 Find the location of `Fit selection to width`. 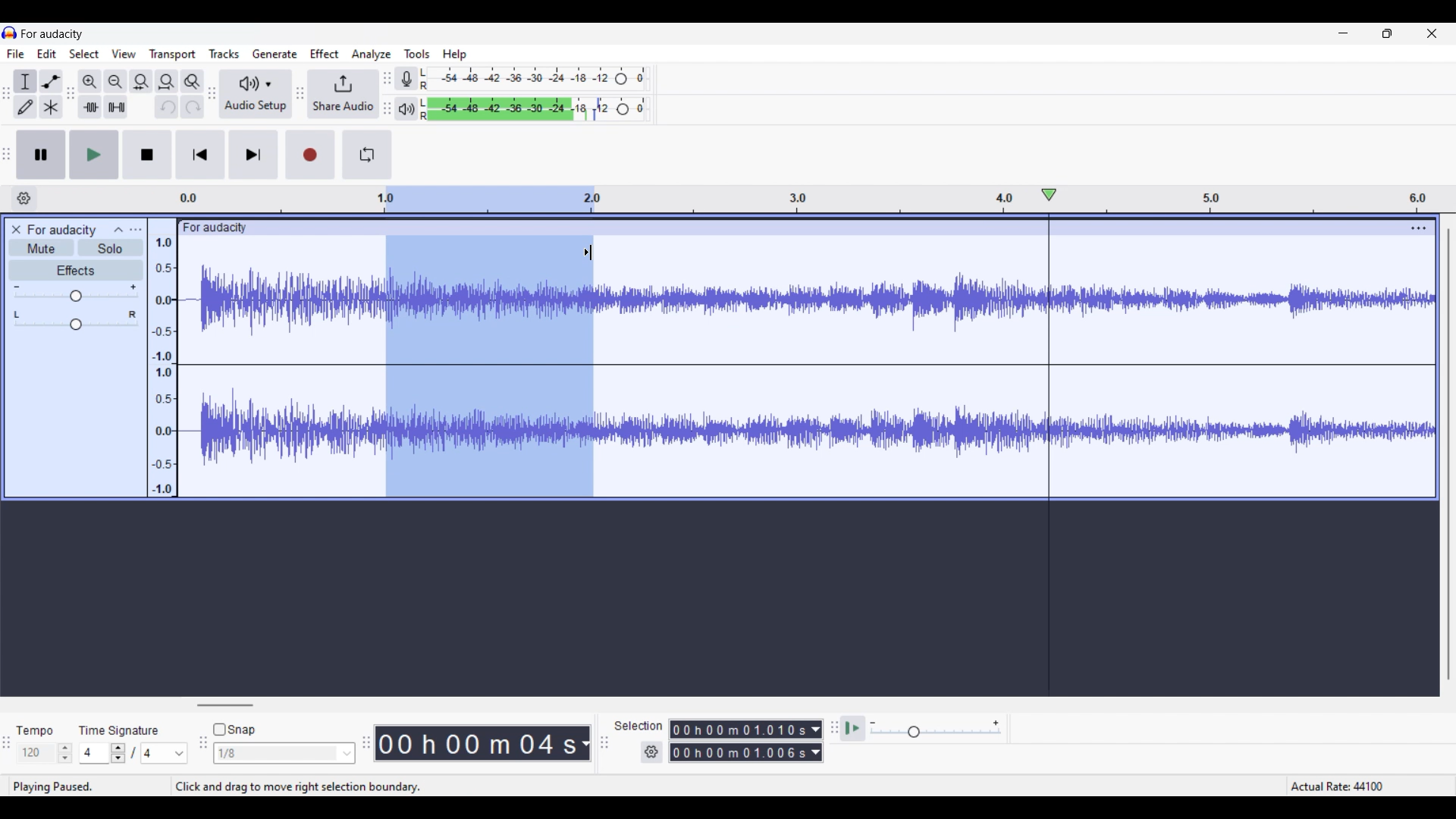

Fit selection to width is located at coordinates (142, 82).